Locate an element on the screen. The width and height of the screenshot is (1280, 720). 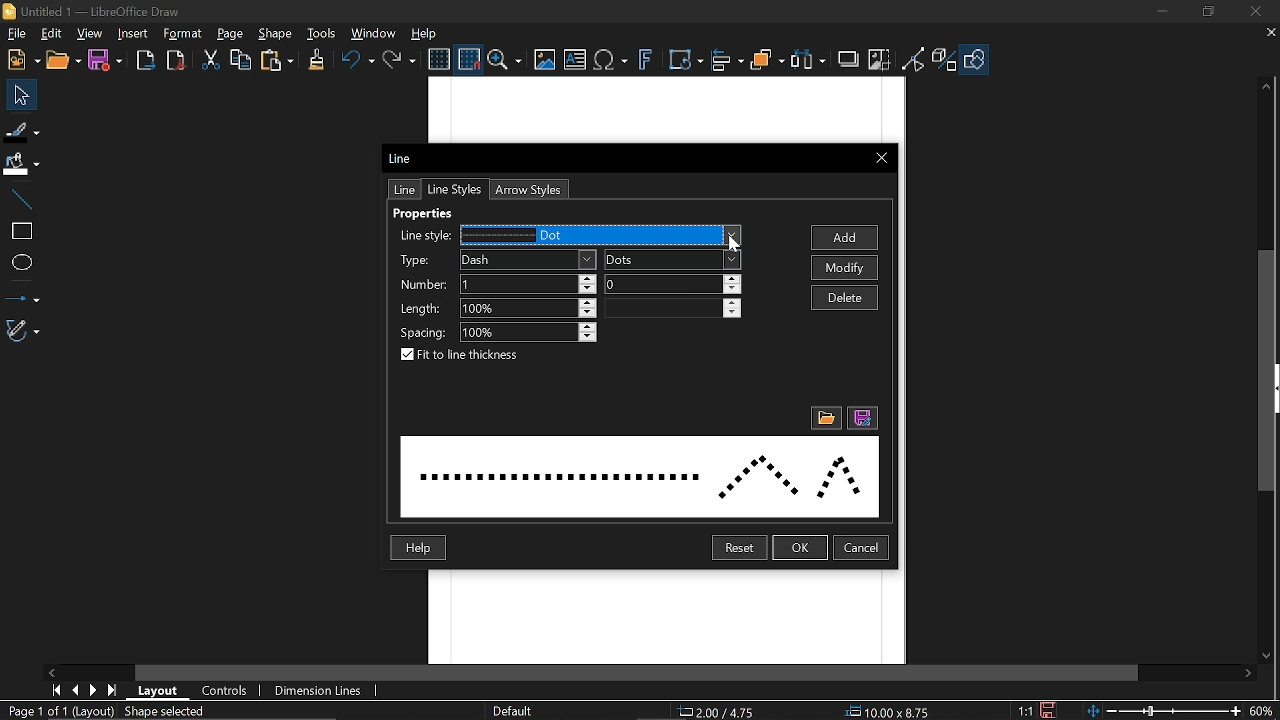
Arrange is located at coordinates (768, 60).